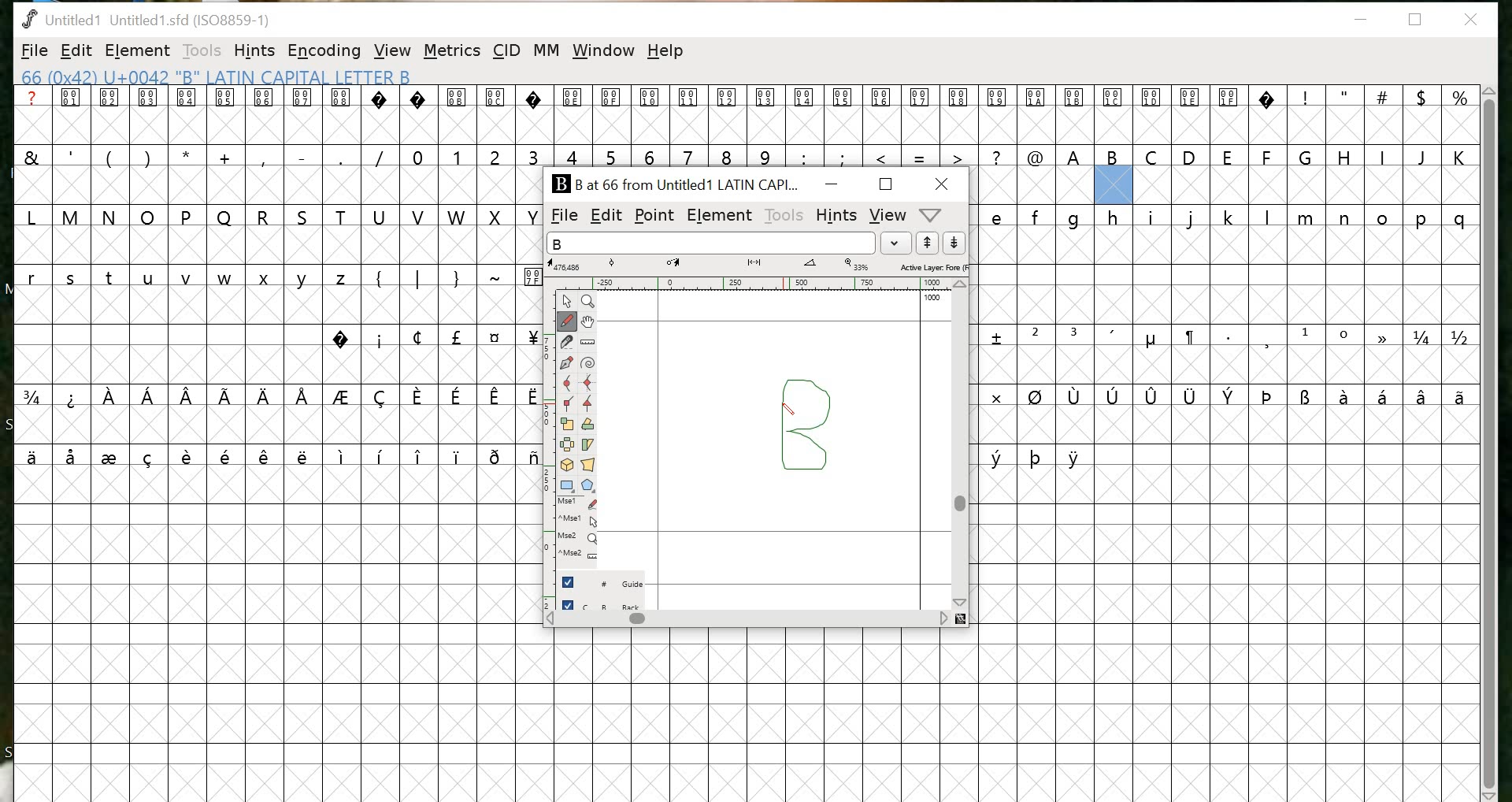 Image resolution: width=1512 pixels, height=802 pixels. I want to click on glyphs, so click(1010, 127).